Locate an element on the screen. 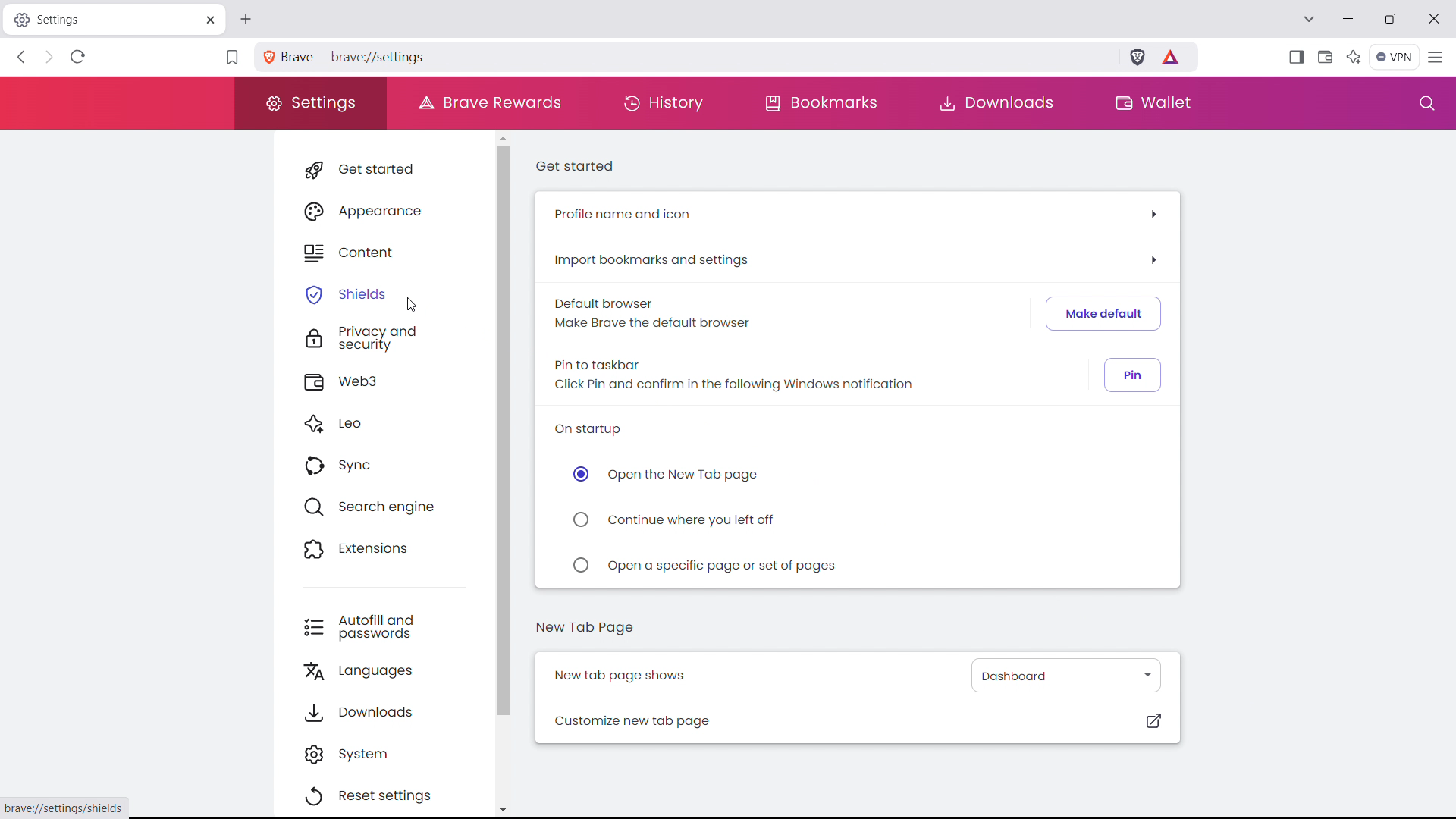 This screenshot has width=1456, height=819. minimize is located at coordinates (1348, 20).